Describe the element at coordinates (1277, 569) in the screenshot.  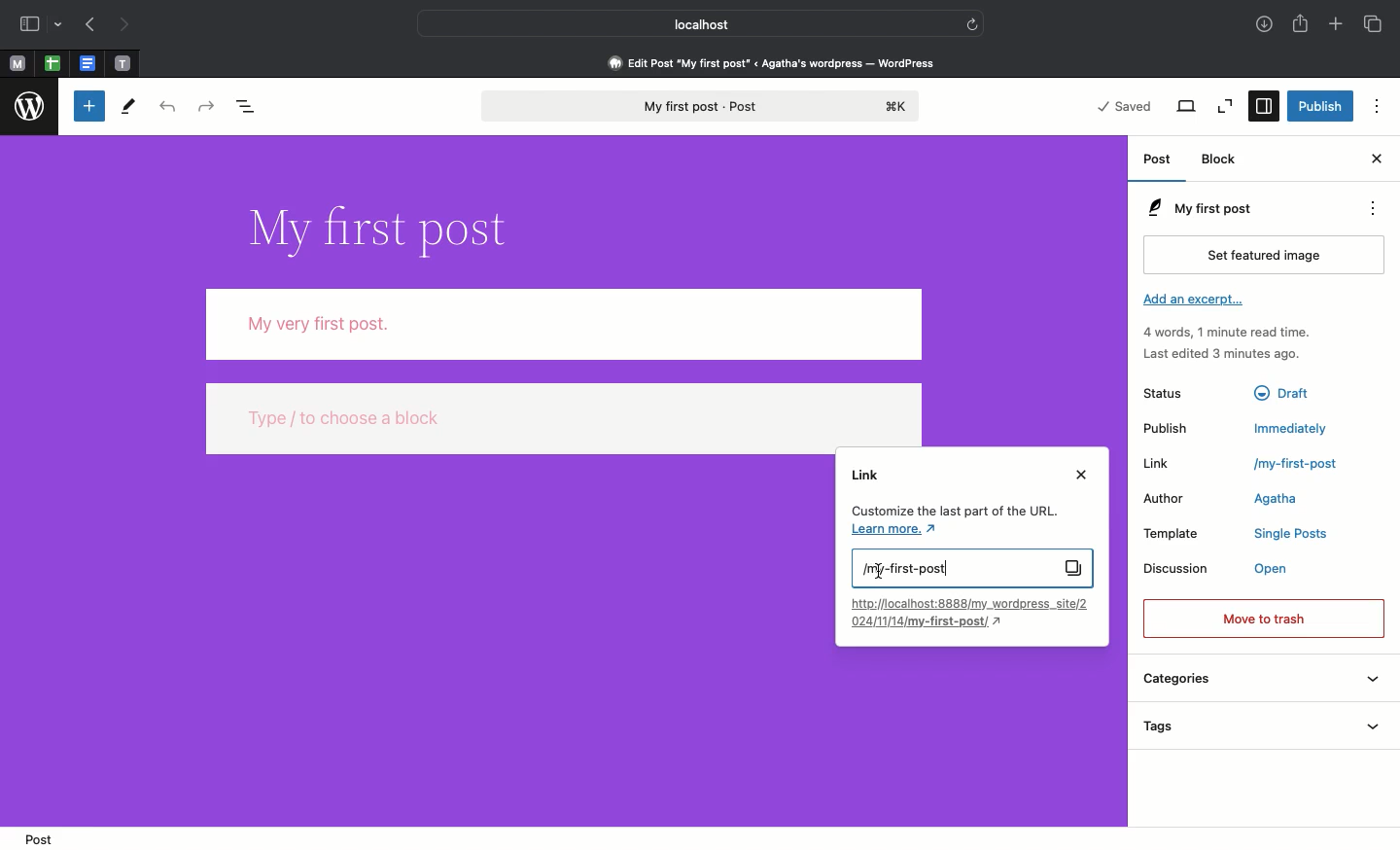
I see `Open` at that location.